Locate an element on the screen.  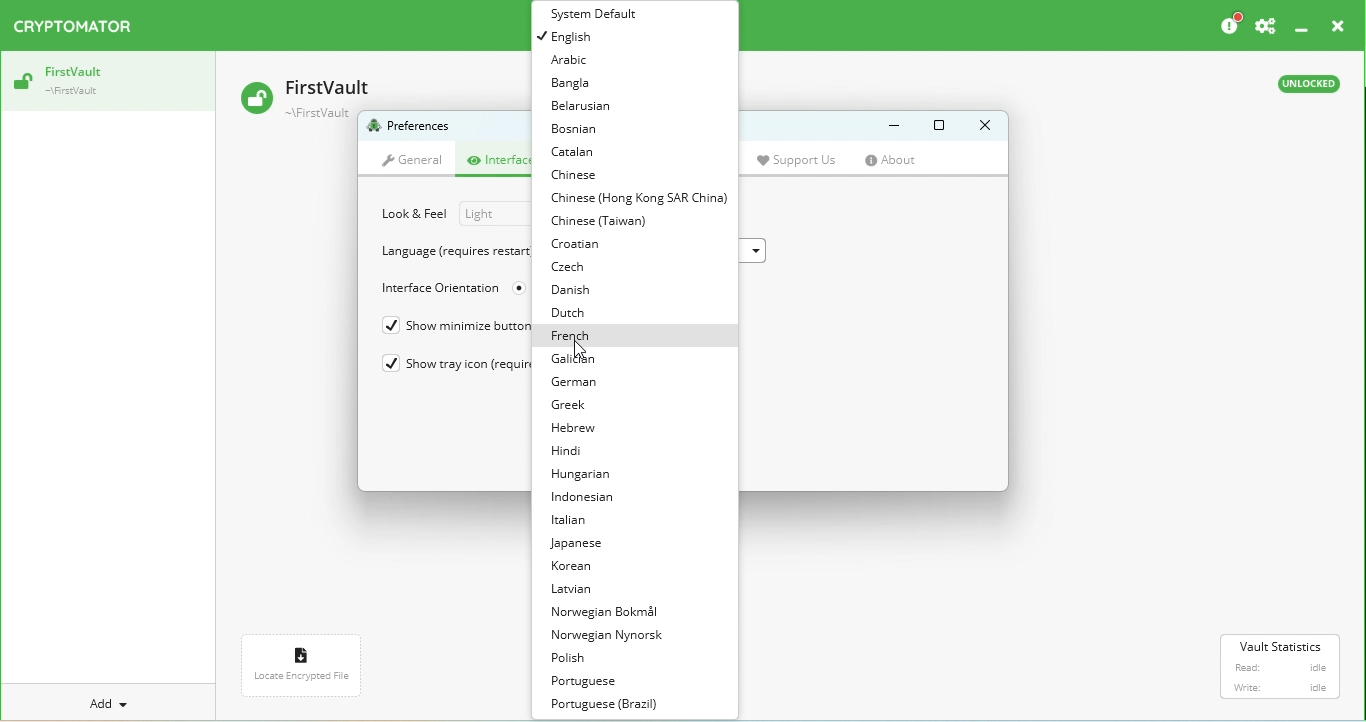
Language is located at coordinates (455, 252).